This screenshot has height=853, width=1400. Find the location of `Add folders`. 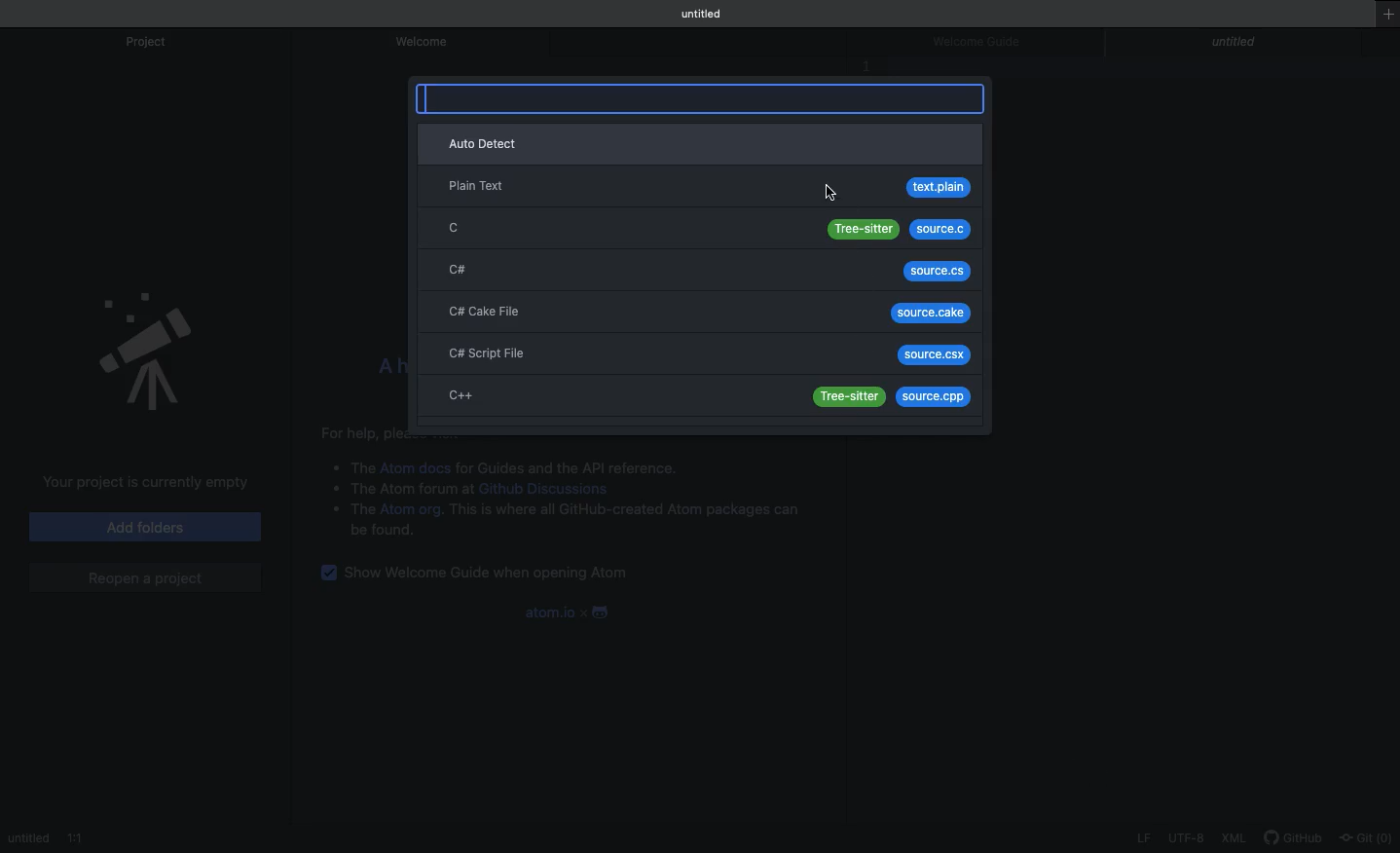

Add folders is located at coordinates (143, 529).